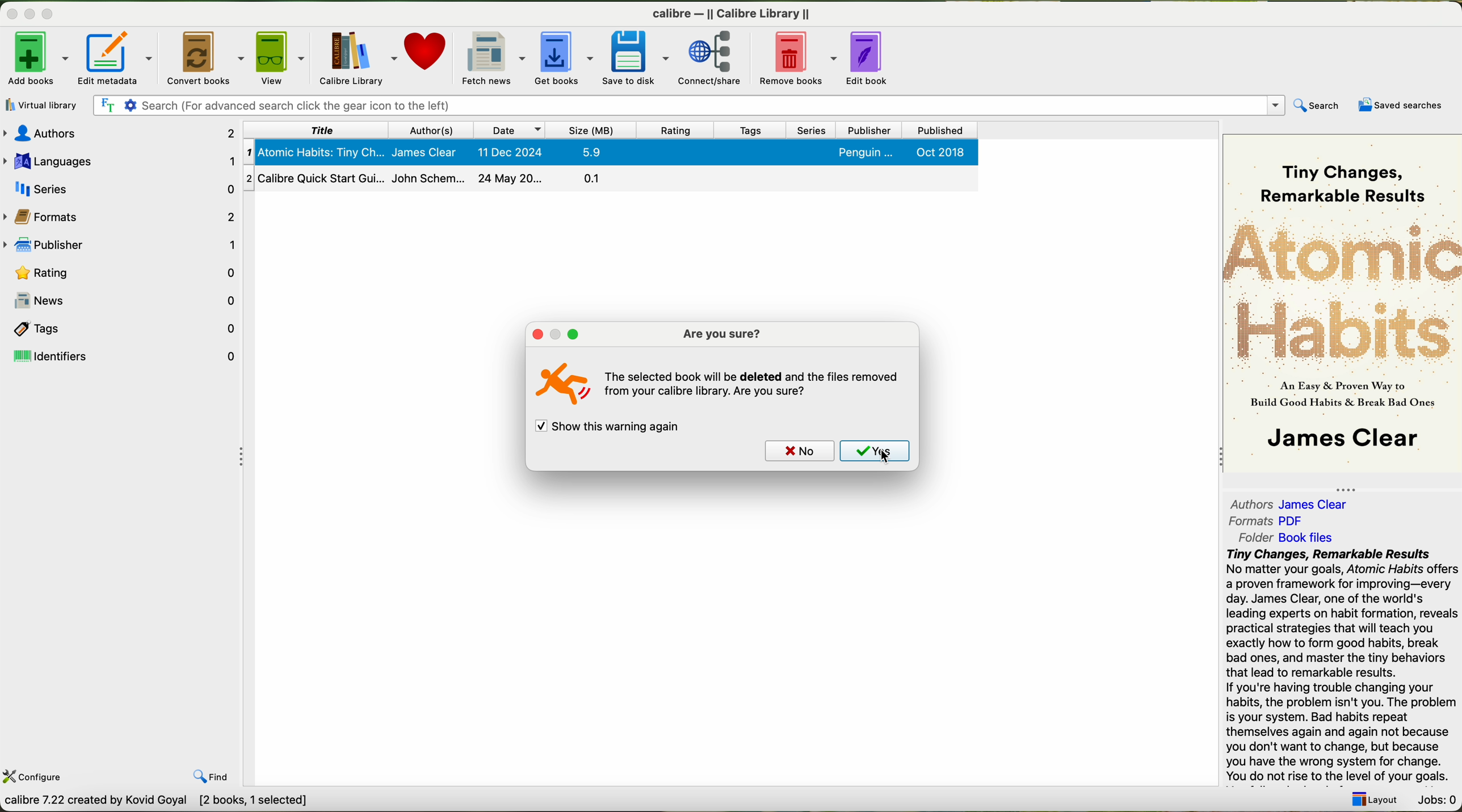 The image size is (1462, 812). Describe the element at coordinates (123, 243) in the screenshot. I see `publisher` at that location.